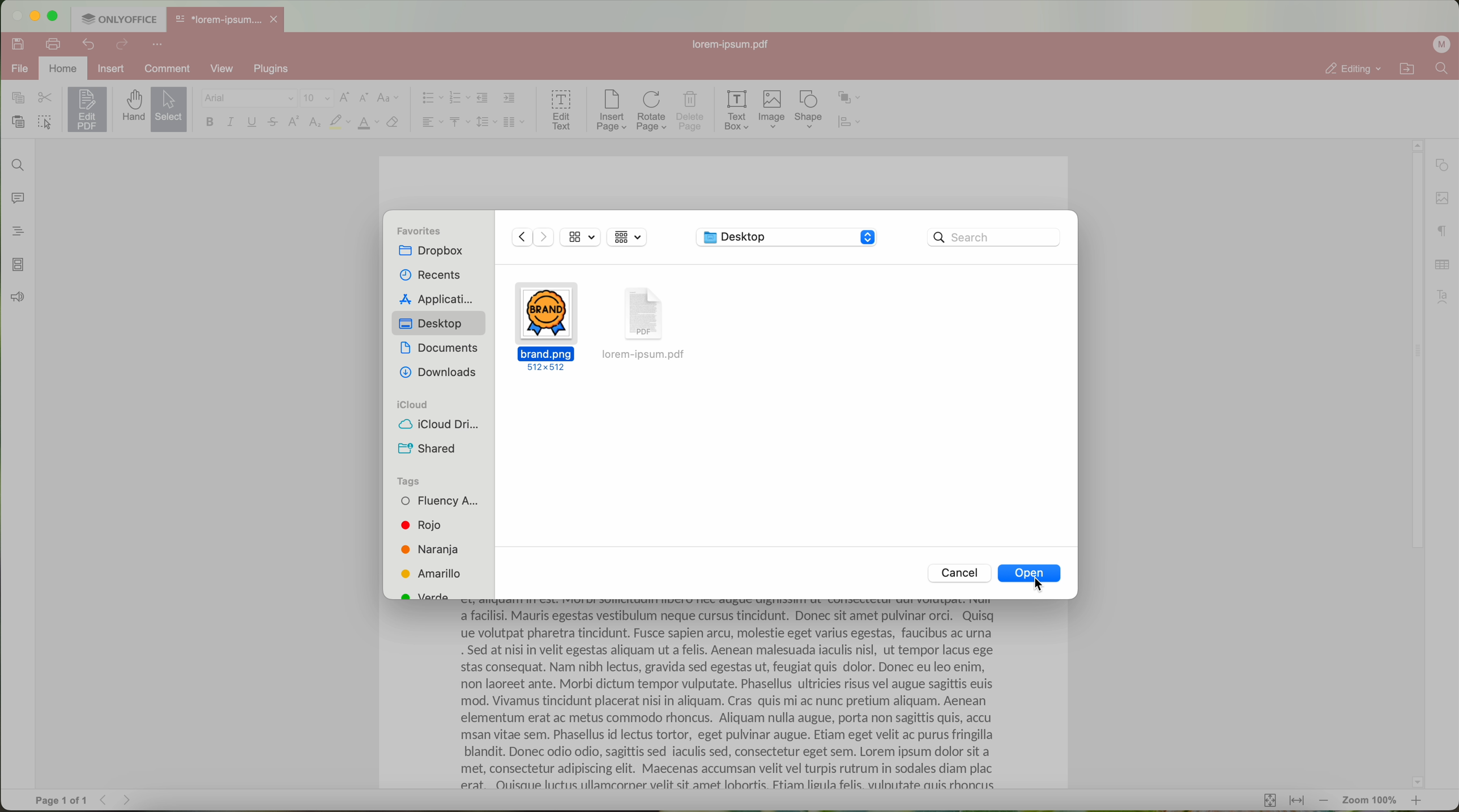  What do you see at coordinates (1352, 69) in the screenshot?
I see `editing` at bounding box center [1352, 69].